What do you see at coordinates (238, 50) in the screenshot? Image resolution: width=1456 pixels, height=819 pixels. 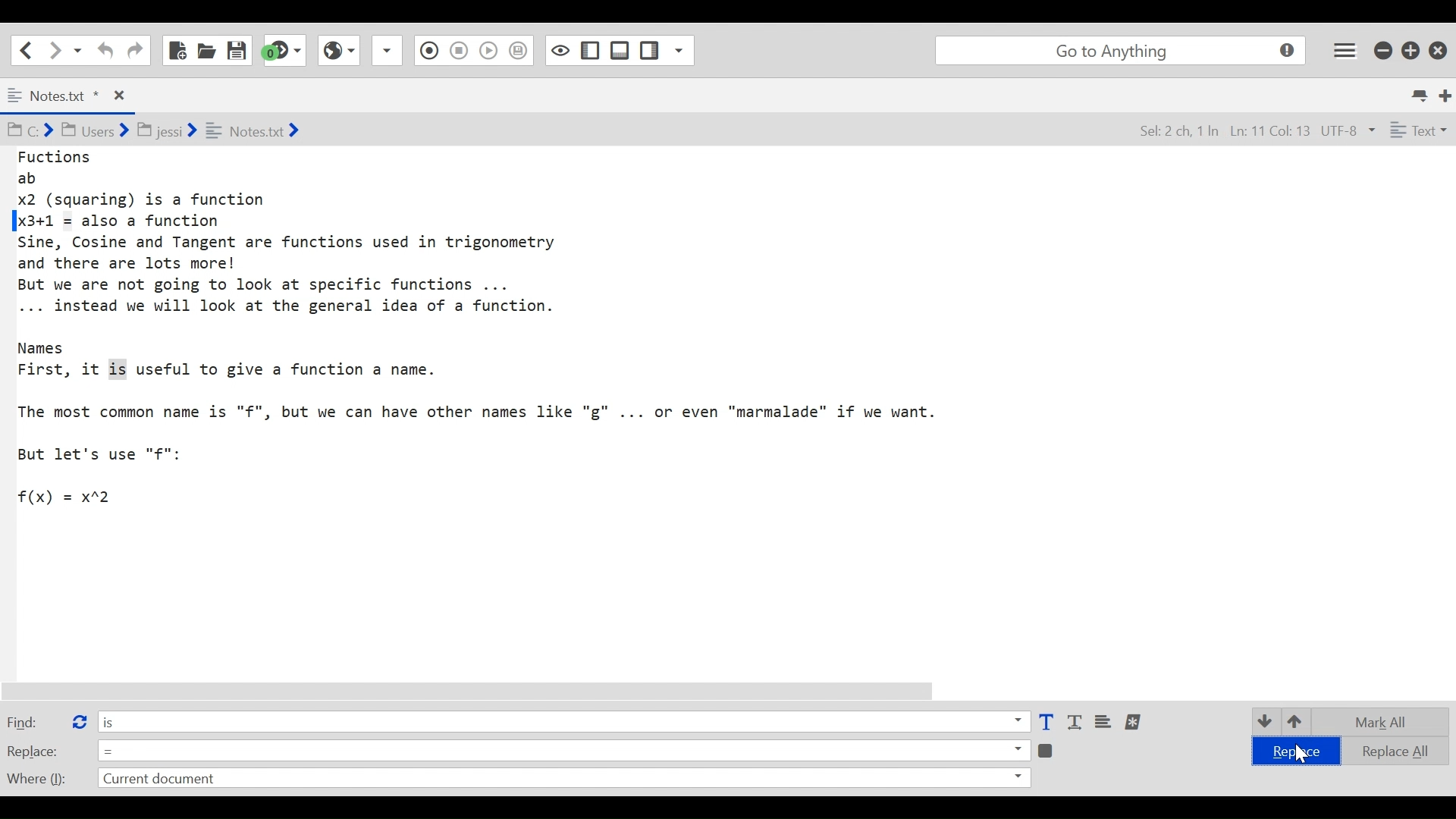 I see `Save File` at bounding box center [238, 50].